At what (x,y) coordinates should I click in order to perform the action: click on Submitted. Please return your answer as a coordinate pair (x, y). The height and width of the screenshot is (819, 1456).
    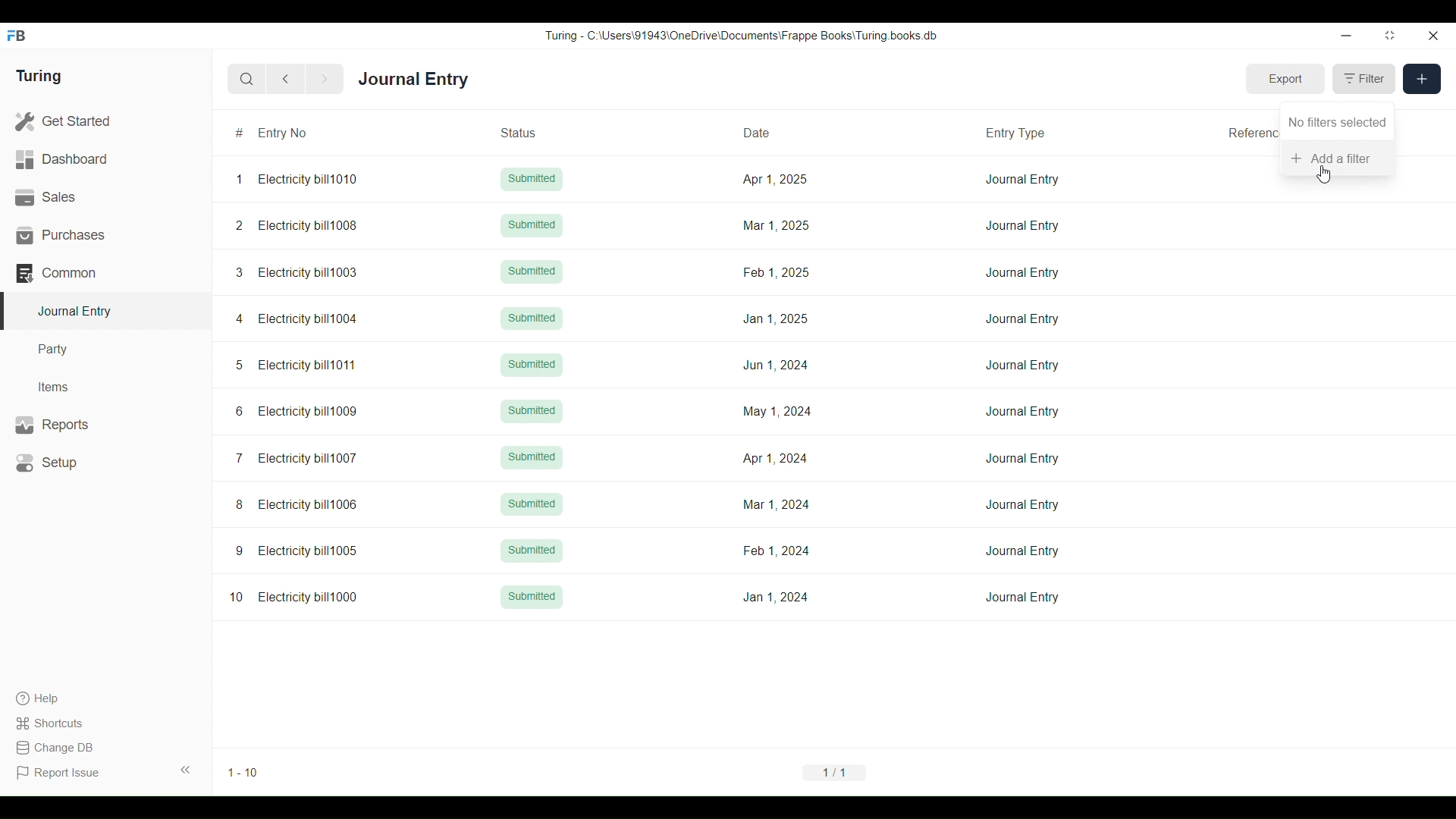
    Looking at the image, I should click on (531, 503).